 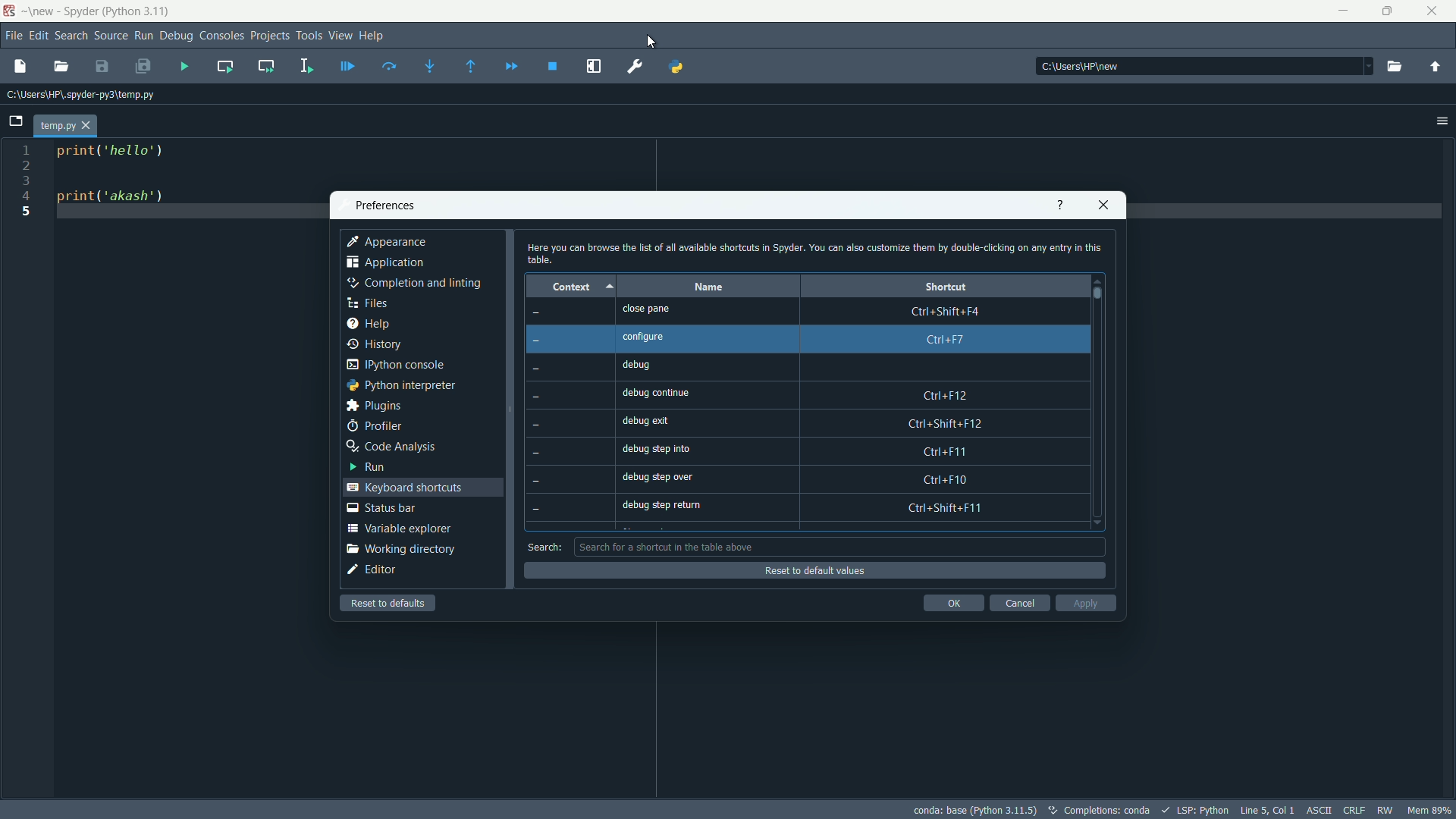 What do you see at coordinates (375, 344) in the screenshot?
I see `history` at bounding box center [375, 344].